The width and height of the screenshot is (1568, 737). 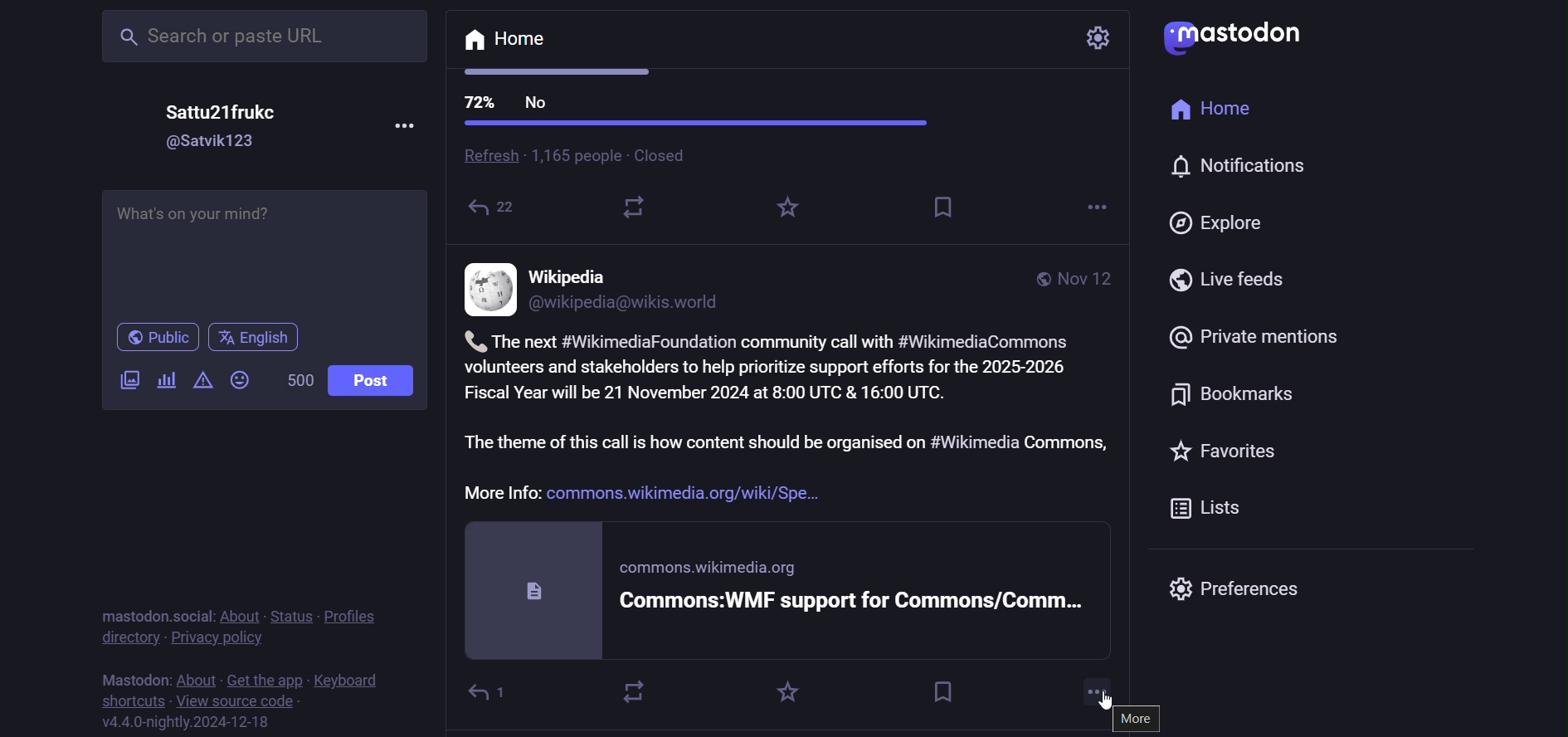 What do you see at coordinates (795, 689) in the screenshot?
I see `favorite` at bounding box center [795, 689].